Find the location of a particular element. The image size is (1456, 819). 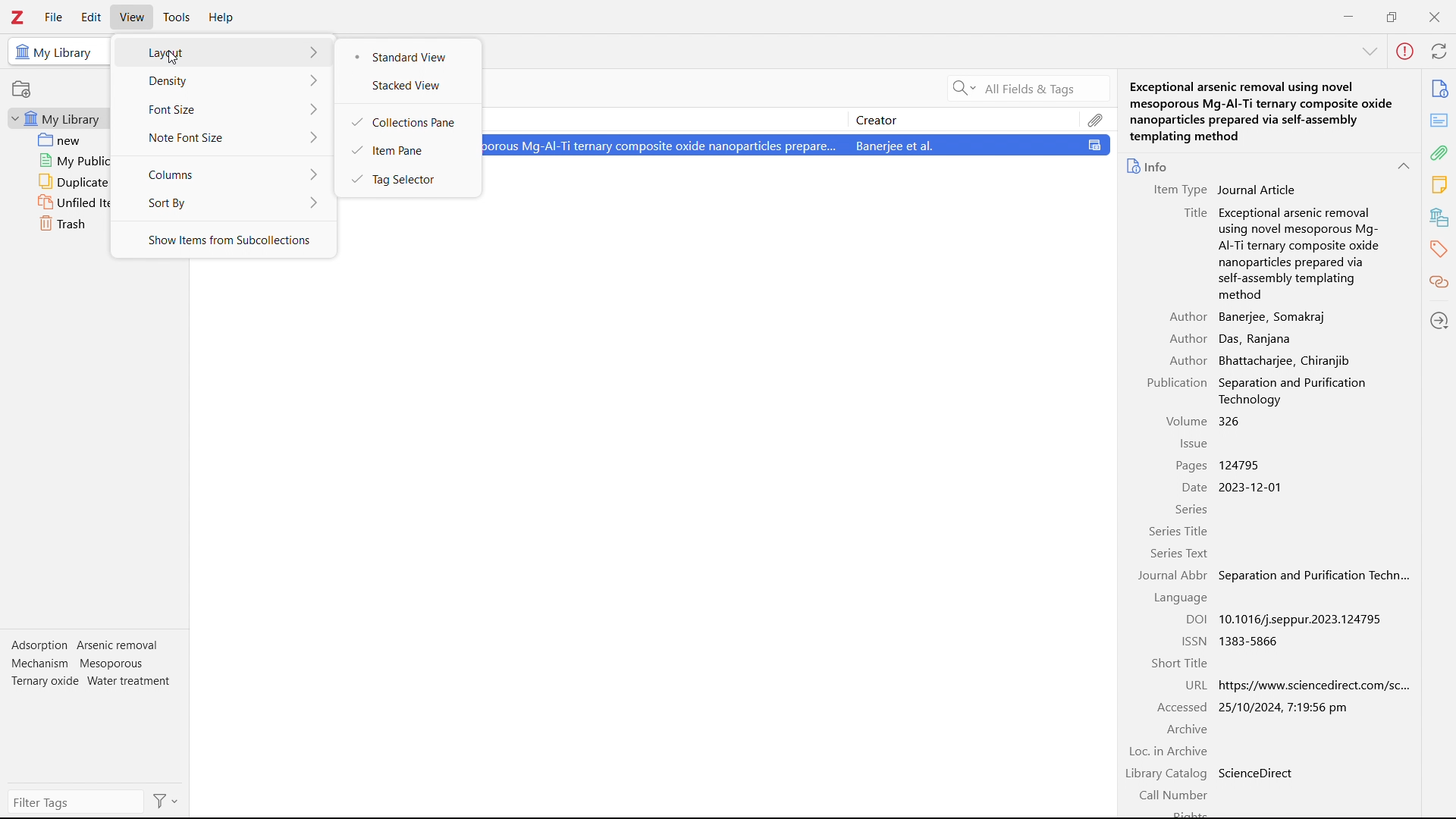

libraries and collections is located at coordinates (1439, 217).